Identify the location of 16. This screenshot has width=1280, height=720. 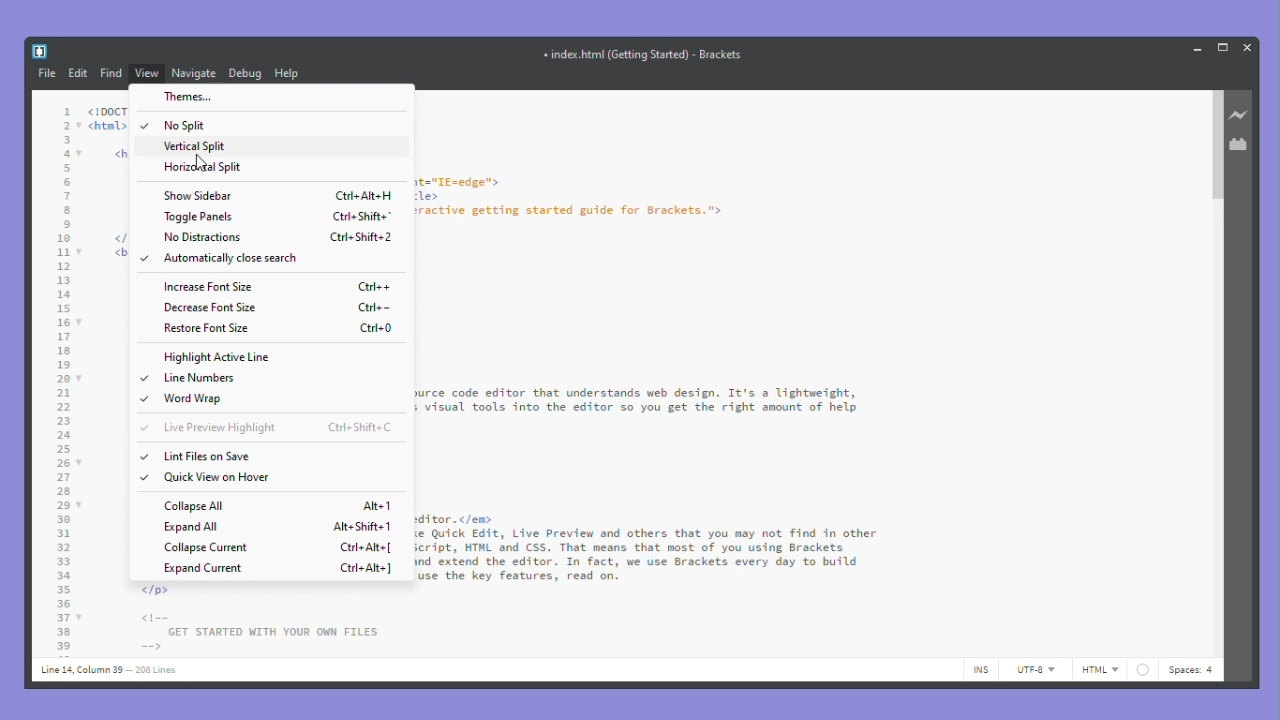
(64, 322).